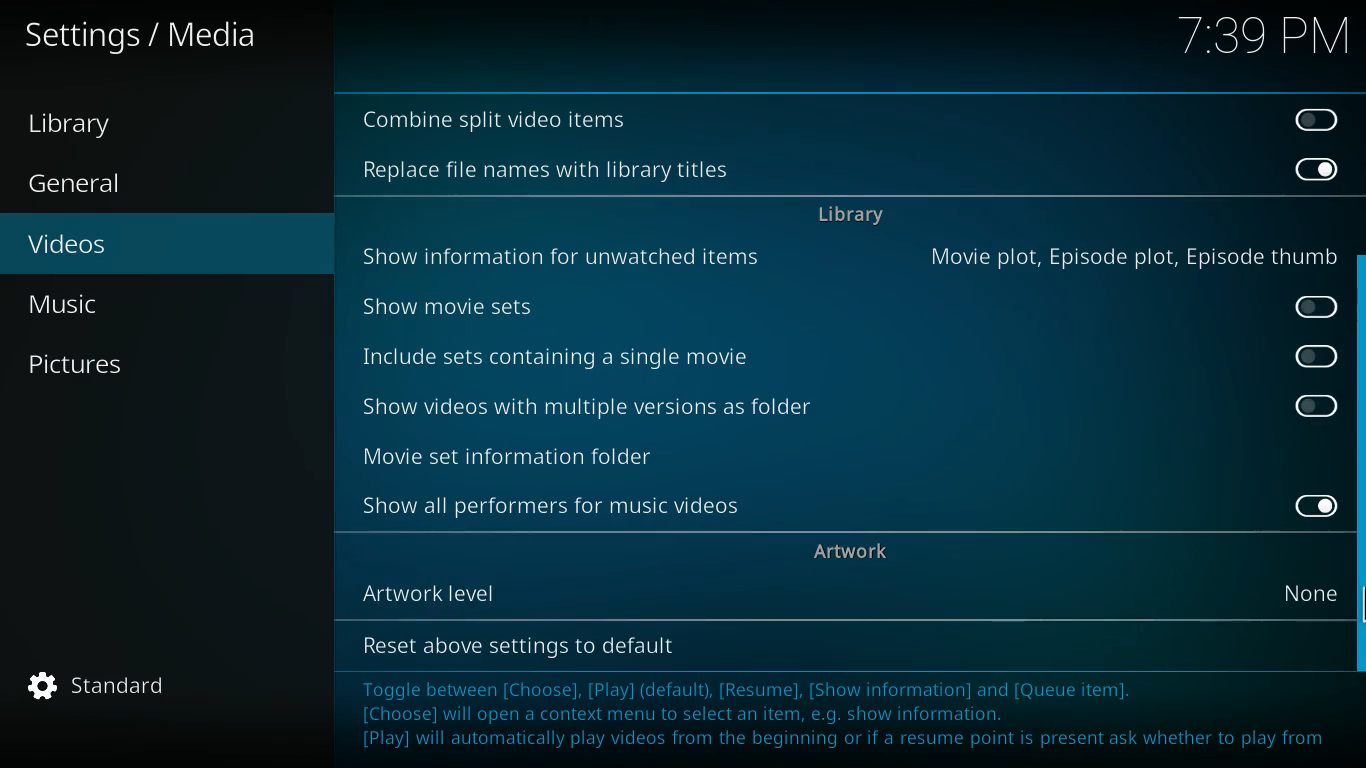 The width and height of the screenshot is (1366, 768). Describe the element at coordinates (1359, 461) in the screenshot. I see `scroll bar` at that location.